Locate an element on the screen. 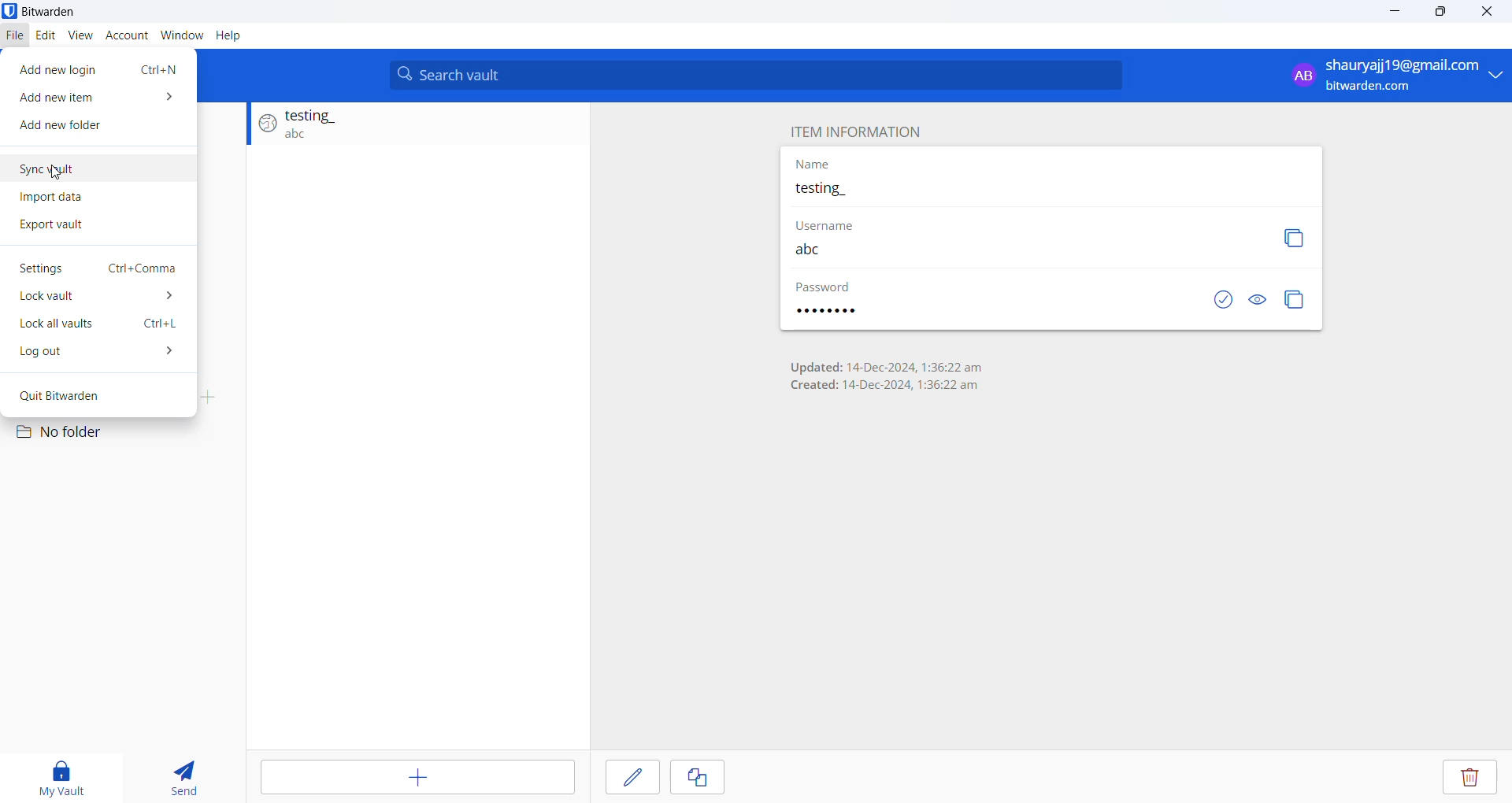 Image resolution: width=1512 pixels, height=803 pixels. Add new folder is located at coordinates (93, 128).